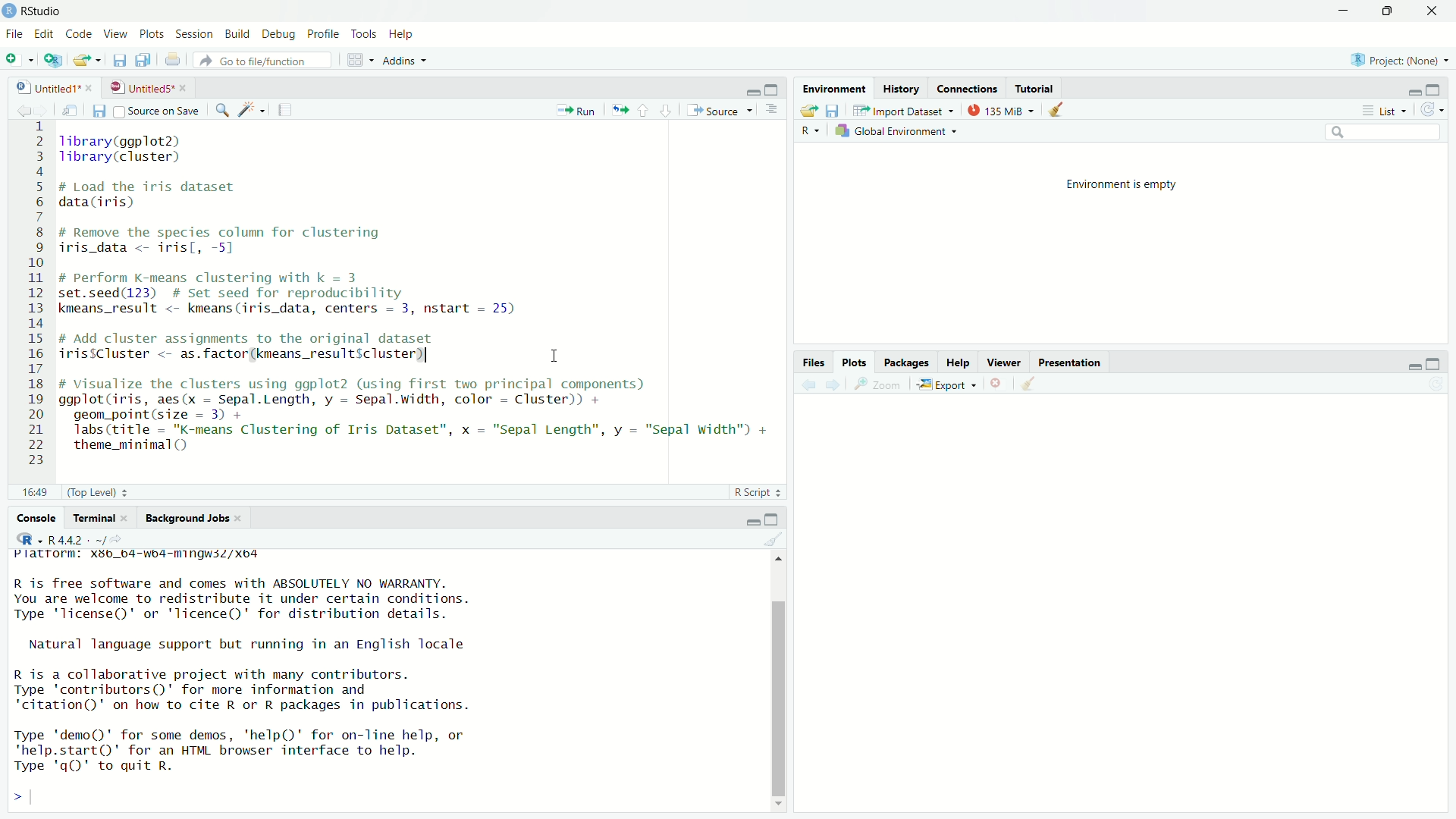  Describe the element at coordinates (236, 34) in the screenshot. I see `build` at that location.